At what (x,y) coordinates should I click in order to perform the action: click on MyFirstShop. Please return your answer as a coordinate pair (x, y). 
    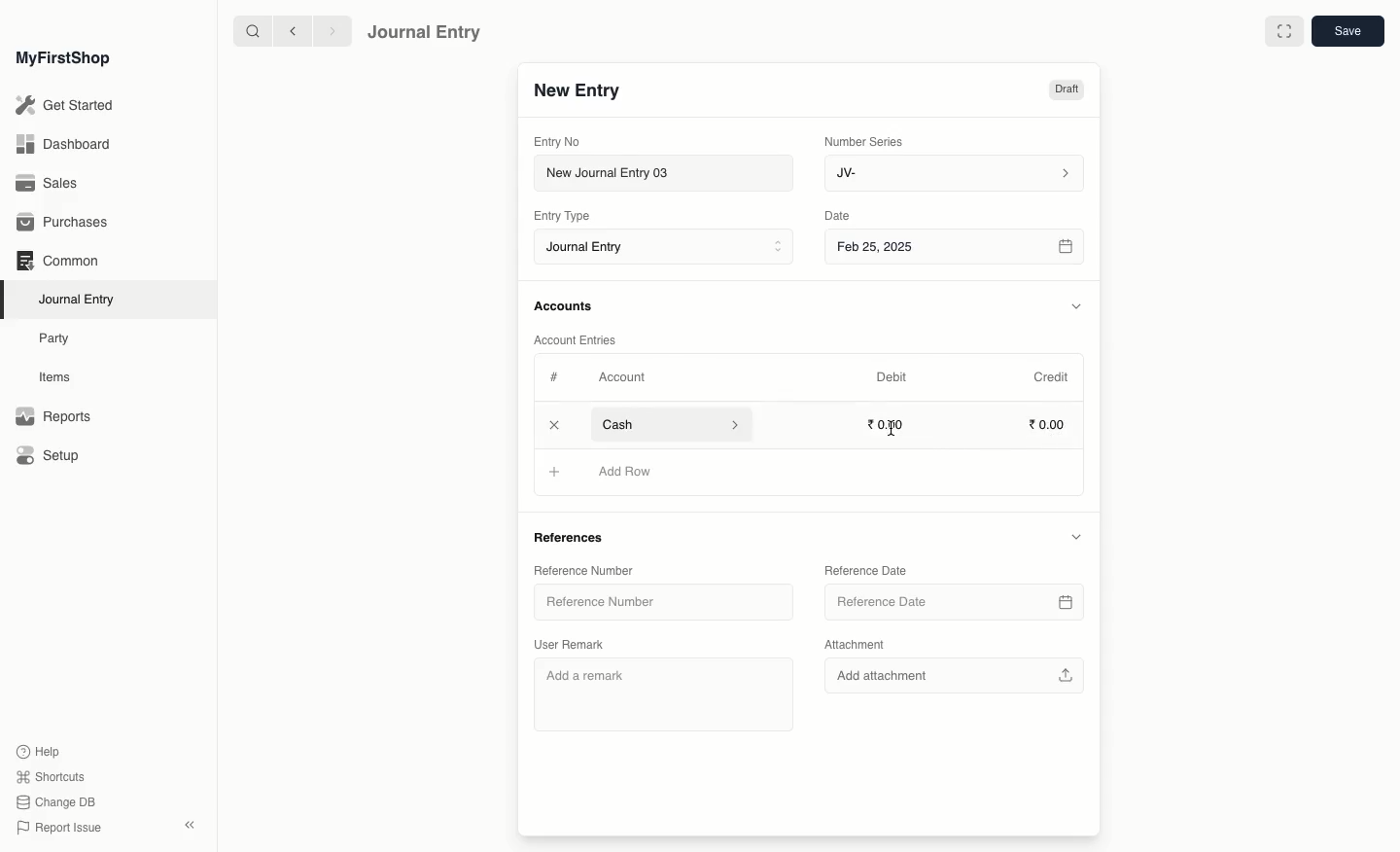
    Looking at the image, I should click on (61, 59).